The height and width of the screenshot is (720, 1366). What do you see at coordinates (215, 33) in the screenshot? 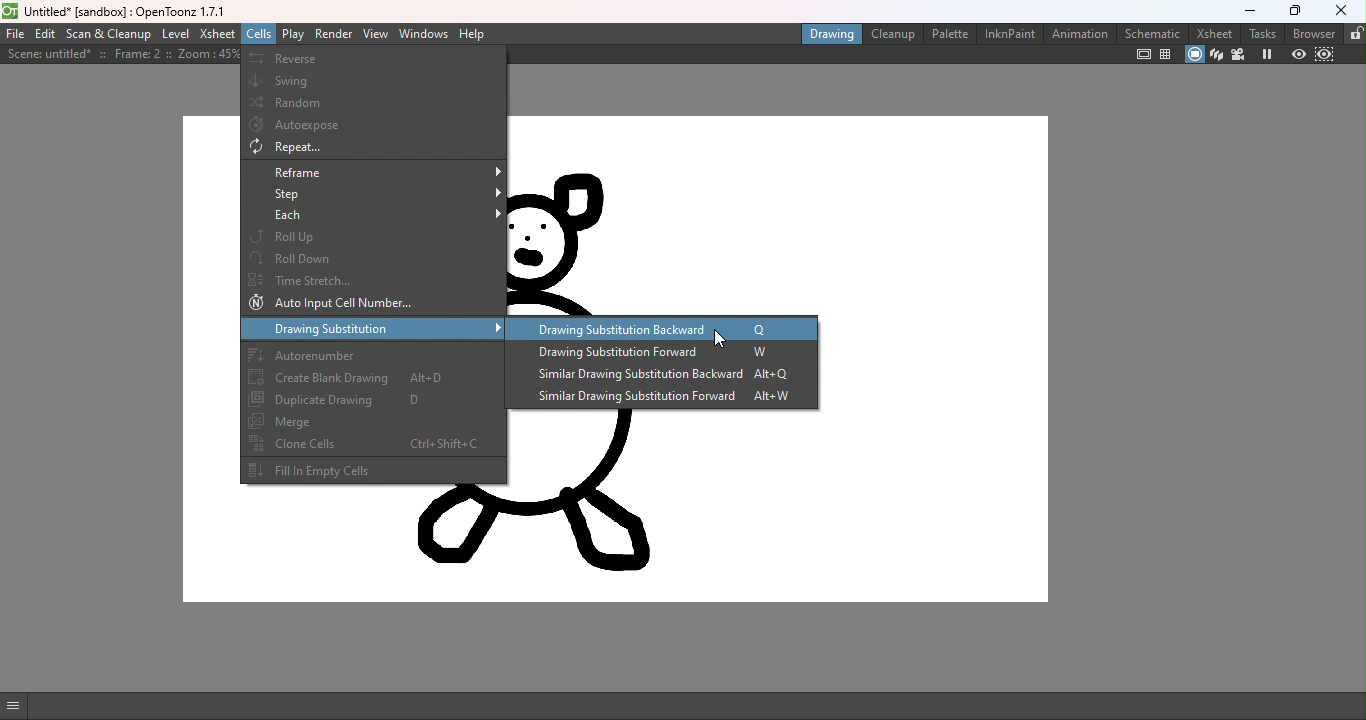
I see `XSheet` at bounding box center [215, 33].